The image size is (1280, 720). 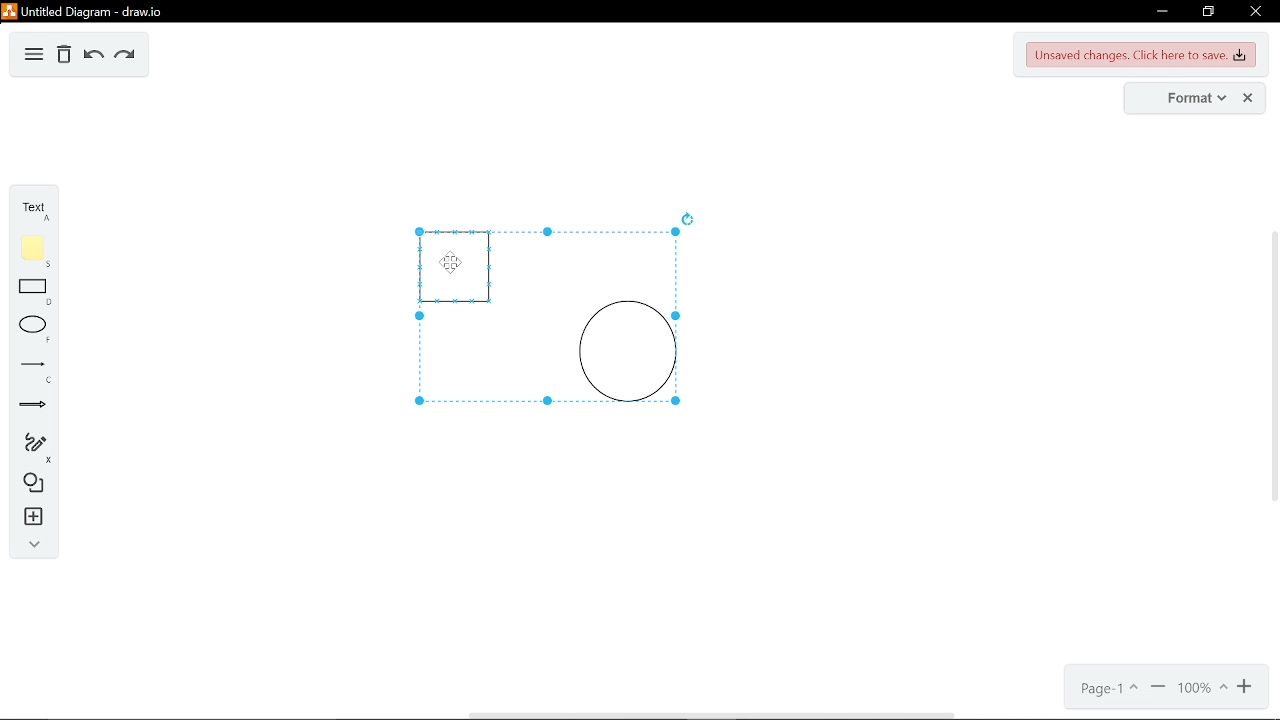 I want to click on arrows, so click(x=33, y=407).